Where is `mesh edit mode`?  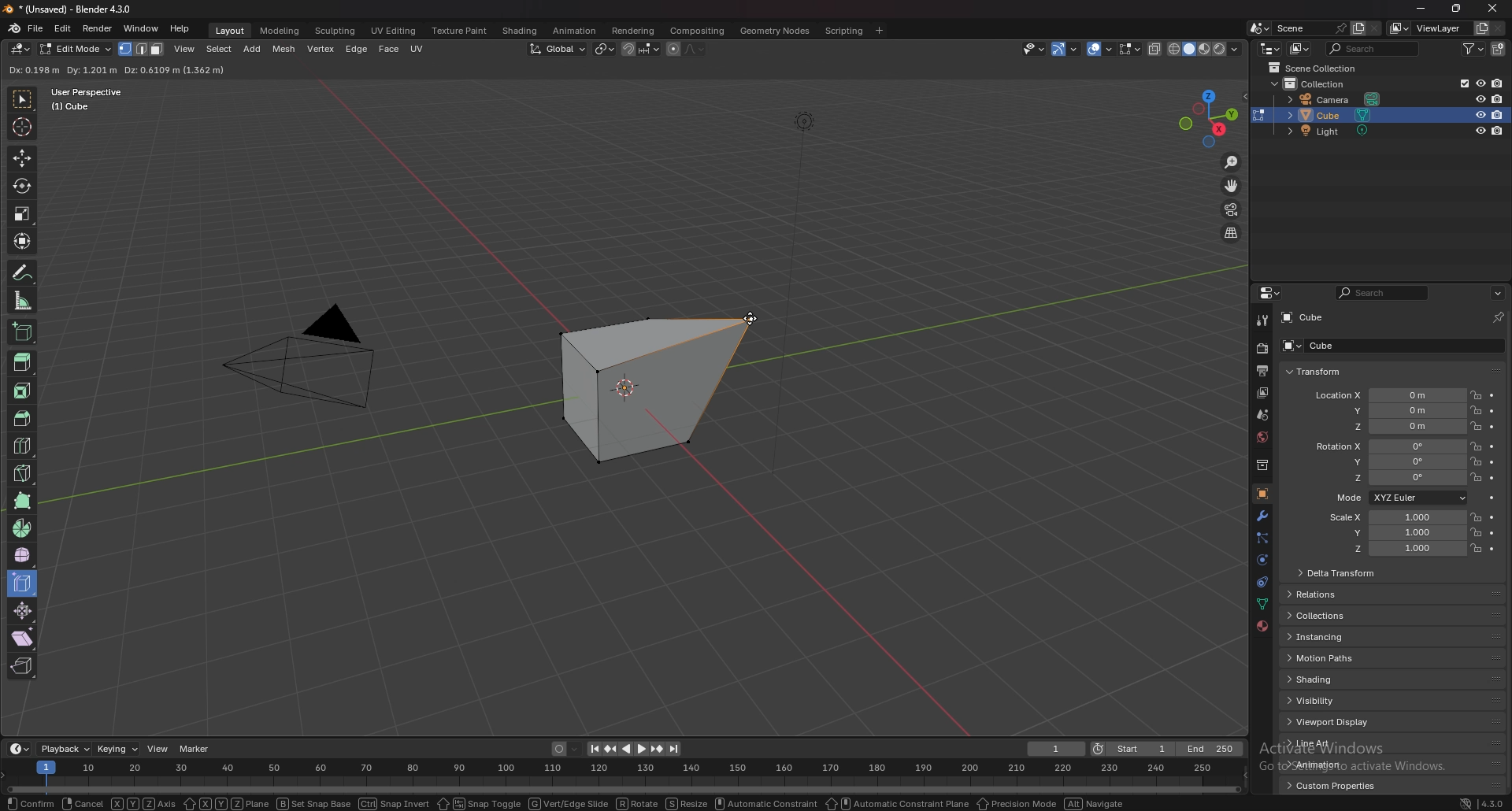 mesh edit mode is located at coordinates (1128, 50).